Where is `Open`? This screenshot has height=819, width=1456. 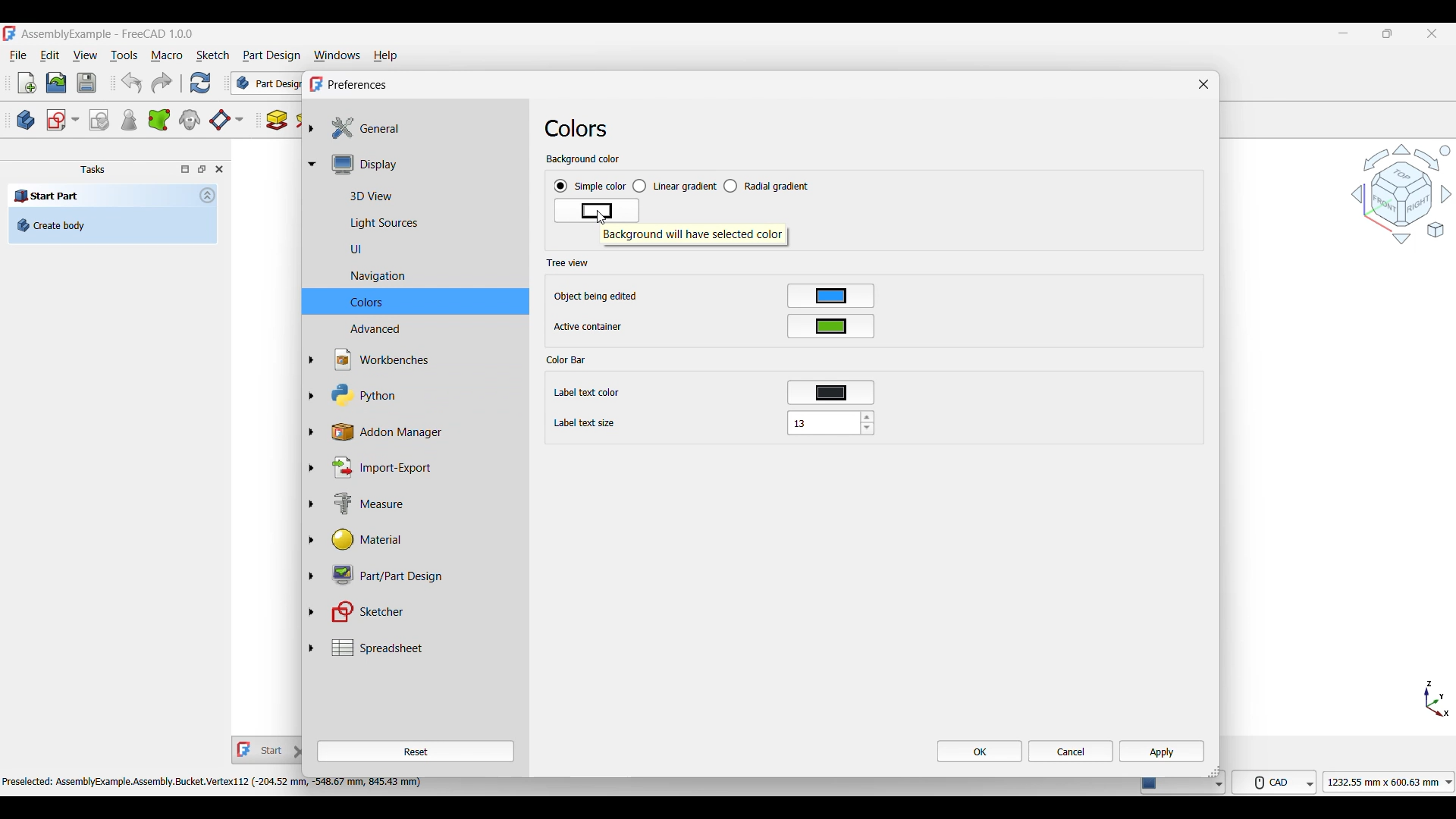
Open is located at coordinates (56, 83).